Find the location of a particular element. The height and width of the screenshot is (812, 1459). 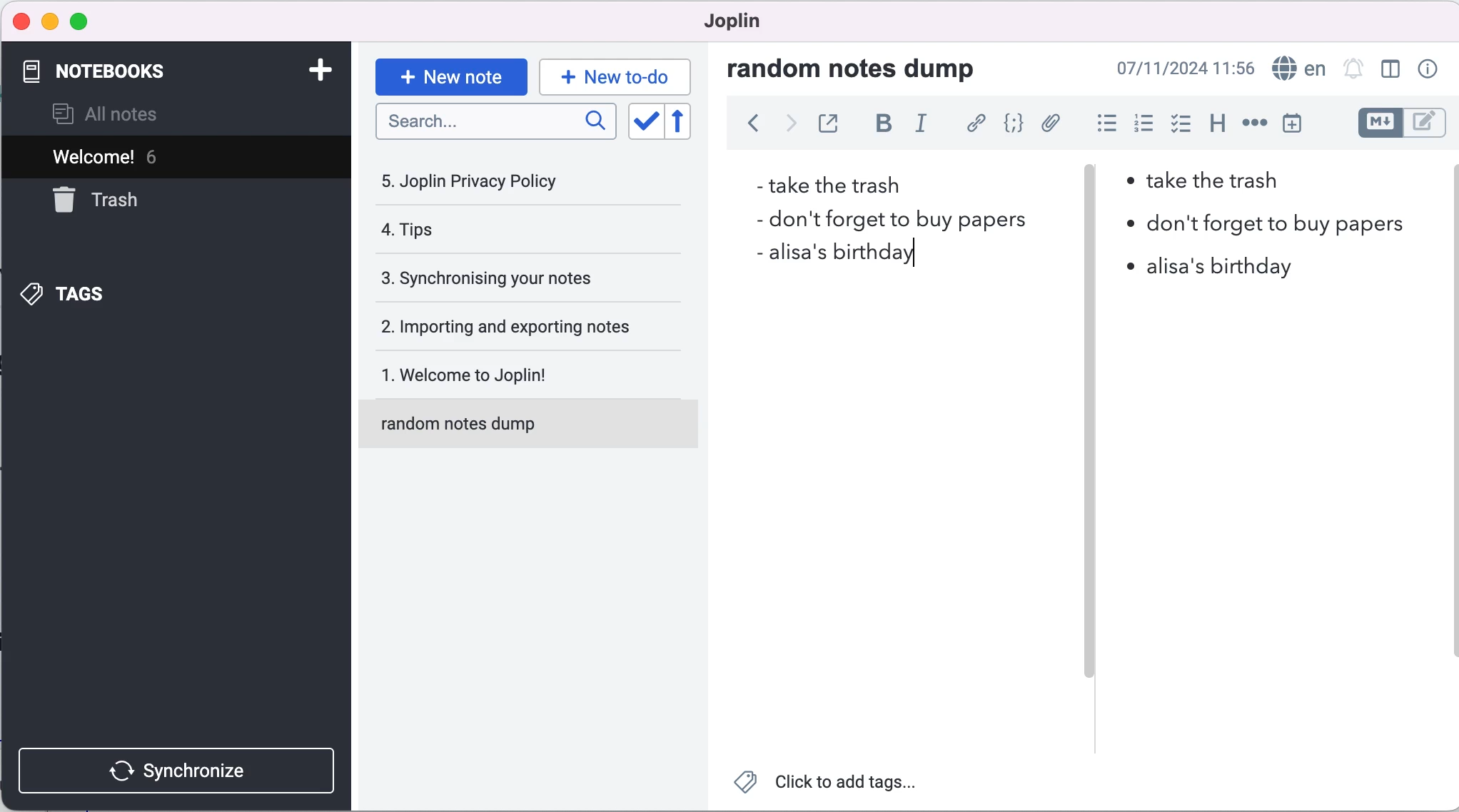

click to add tags is located at coordinates (832, 785).